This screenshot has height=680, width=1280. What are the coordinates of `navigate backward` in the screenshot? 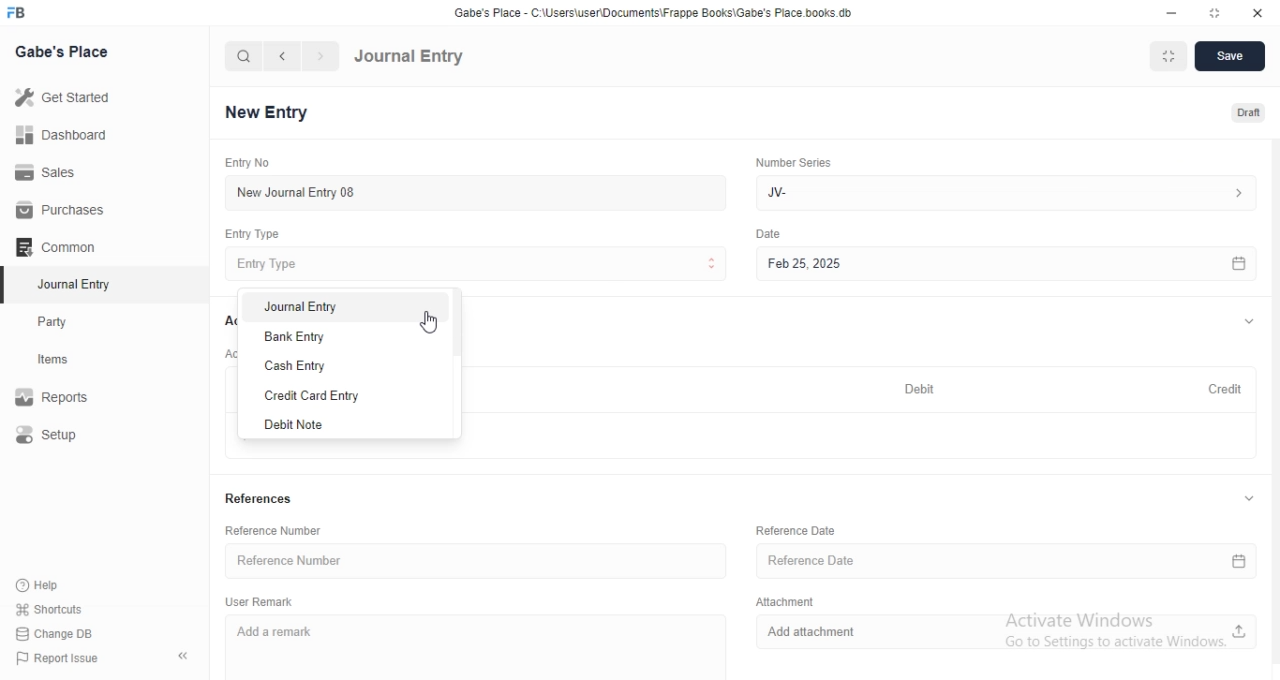 It's located at (285, 56).